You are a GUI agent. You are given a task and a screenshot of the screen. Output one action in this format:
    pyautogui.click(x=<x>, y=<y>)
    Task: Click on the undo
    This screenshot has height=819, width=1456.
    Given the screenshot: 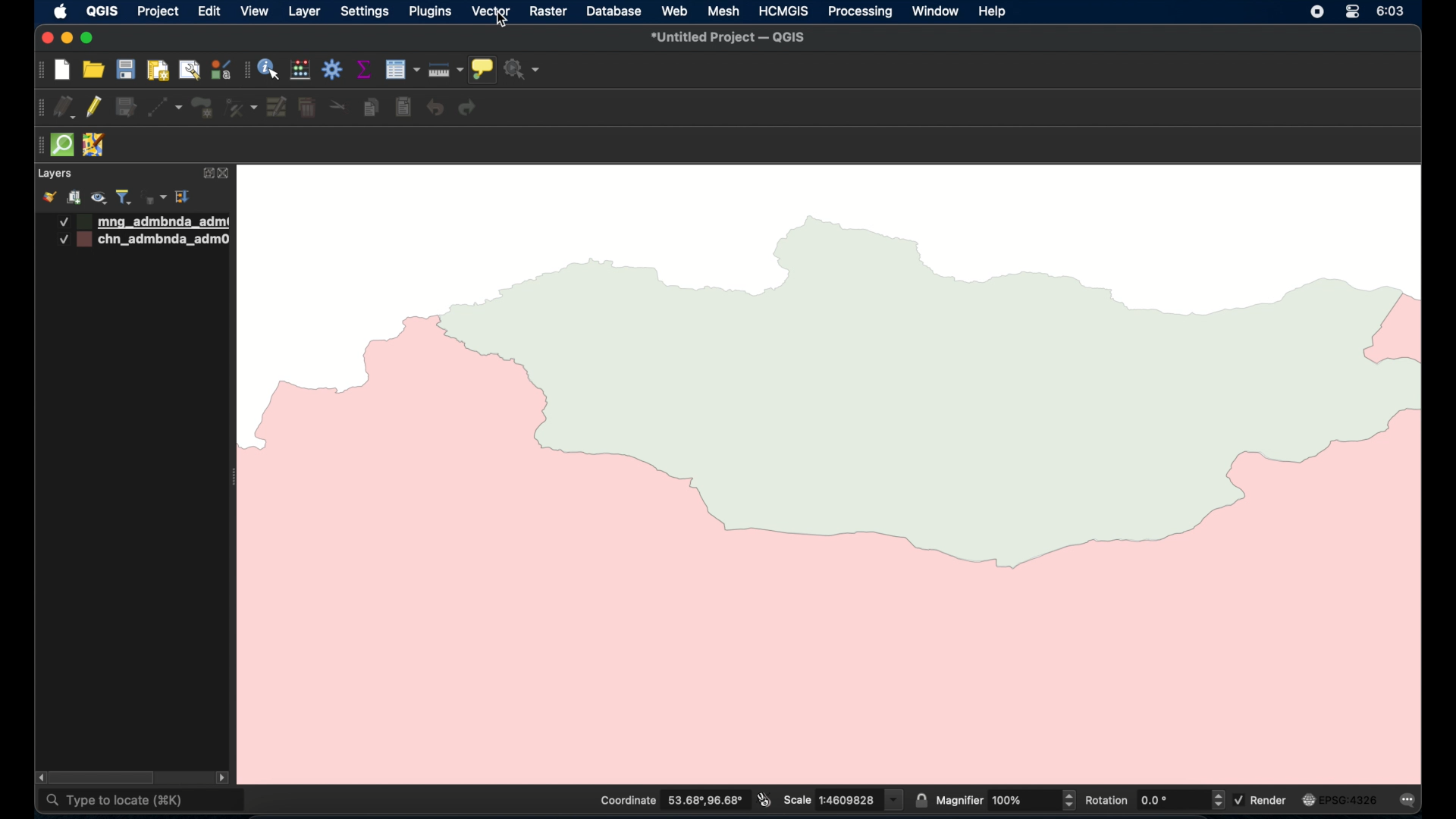 What is the action you would take?
    pyautogui.click(x=436, y=108)
    